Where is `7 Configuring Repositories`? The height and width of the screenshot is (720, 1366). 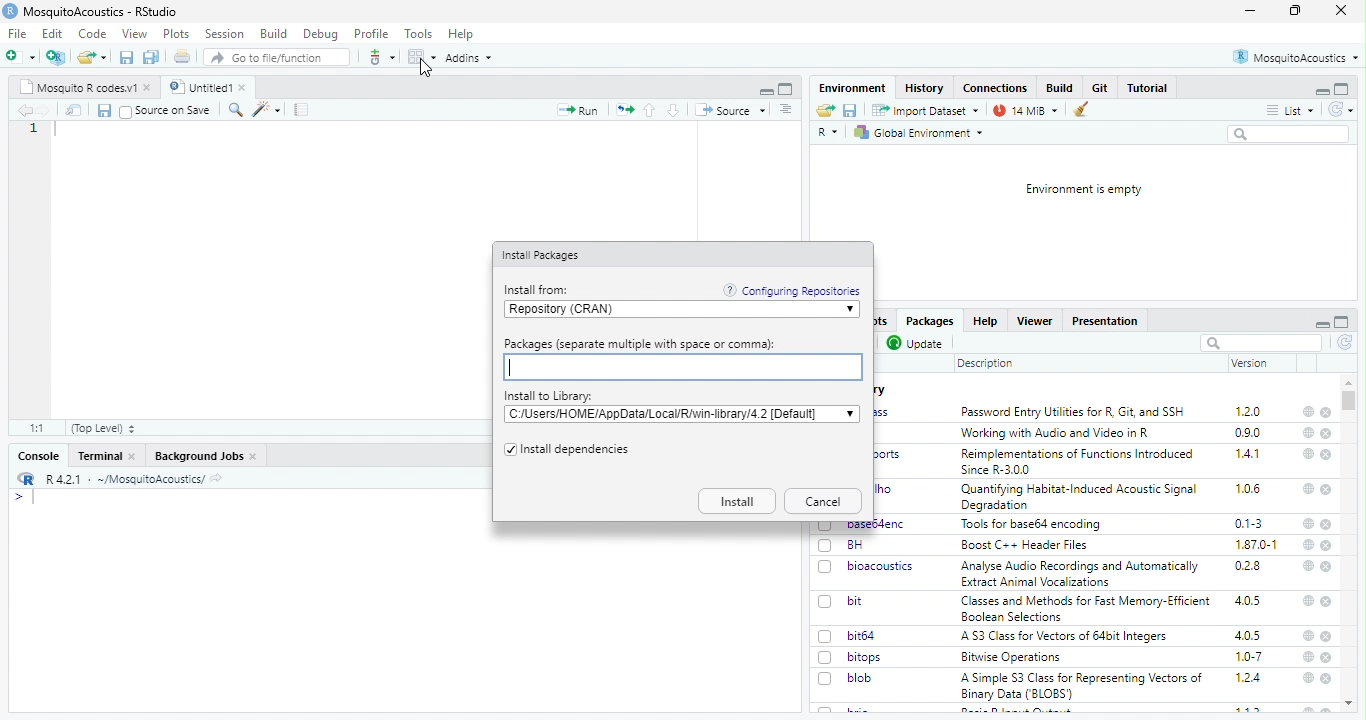 7 Configuring Repositories is located at coordinates (792, 290).